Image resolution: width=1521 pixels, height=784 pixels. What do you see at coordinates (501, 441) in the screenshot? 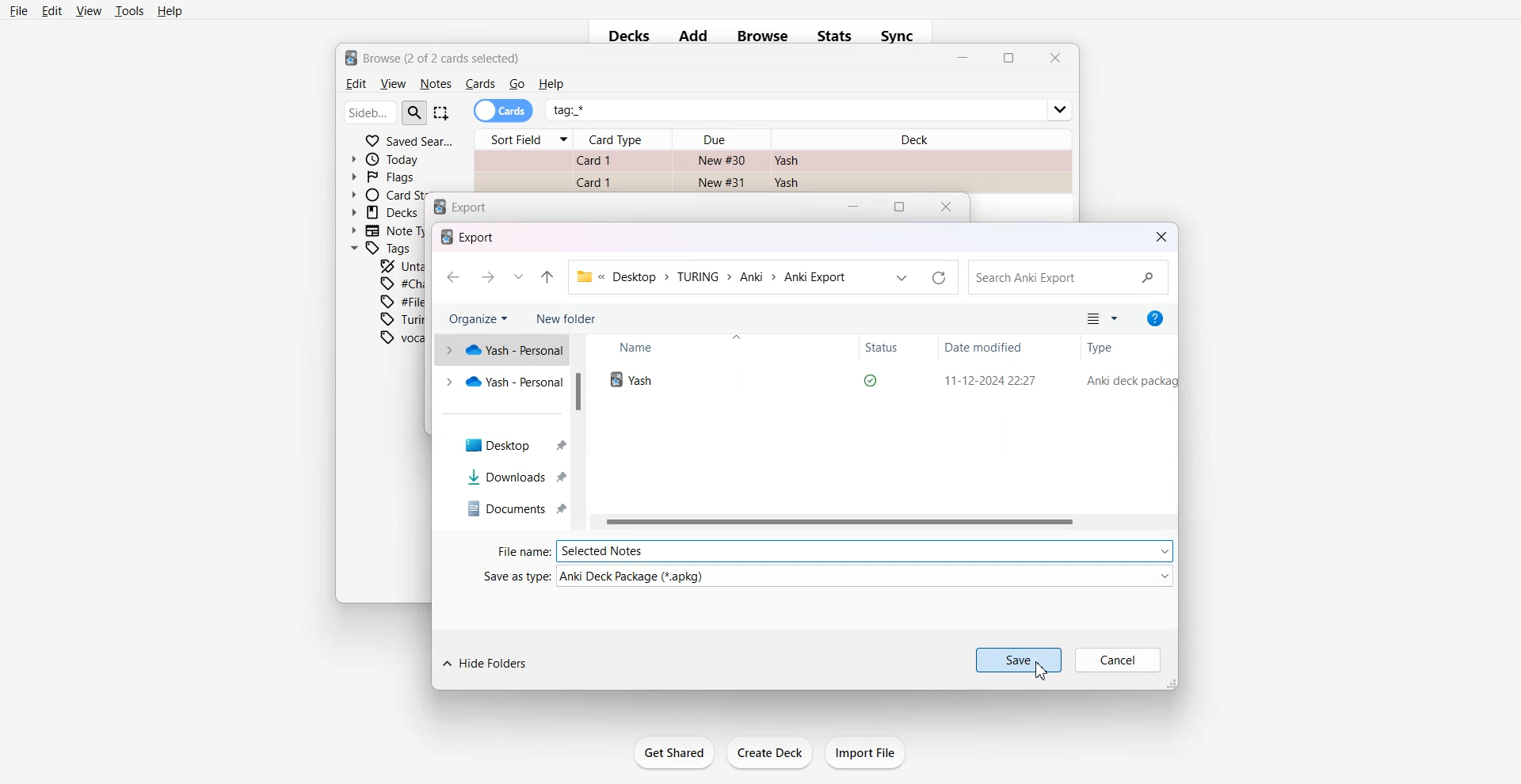
I see `Desktop` at bounding box center [501, 441].